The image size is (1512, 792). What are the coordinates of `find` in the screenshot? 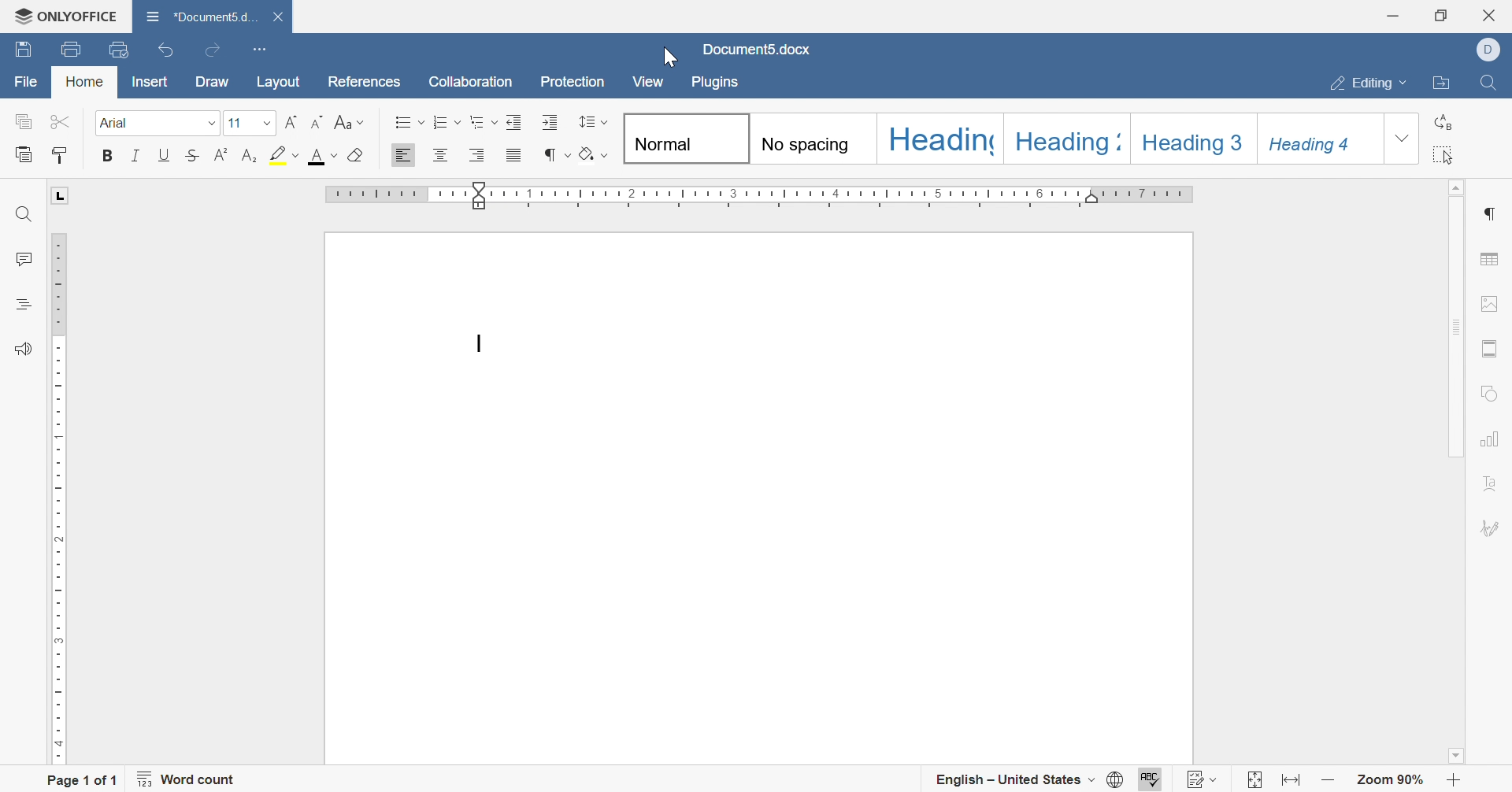 It's located at (1489, 82).